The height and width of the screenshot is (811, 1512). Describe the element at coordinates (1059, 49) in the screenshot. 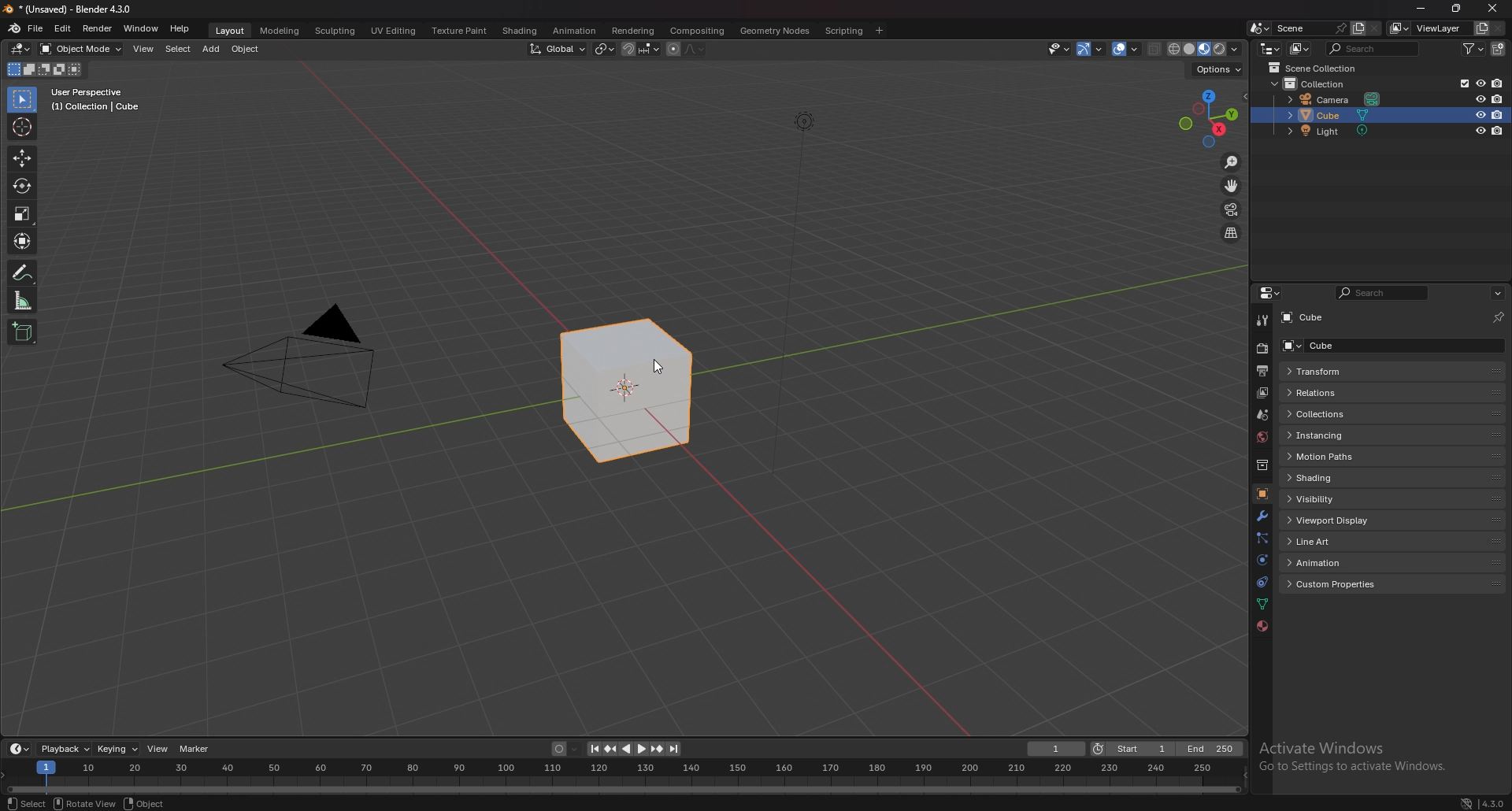

I see `selectibility and visibility` at that location.